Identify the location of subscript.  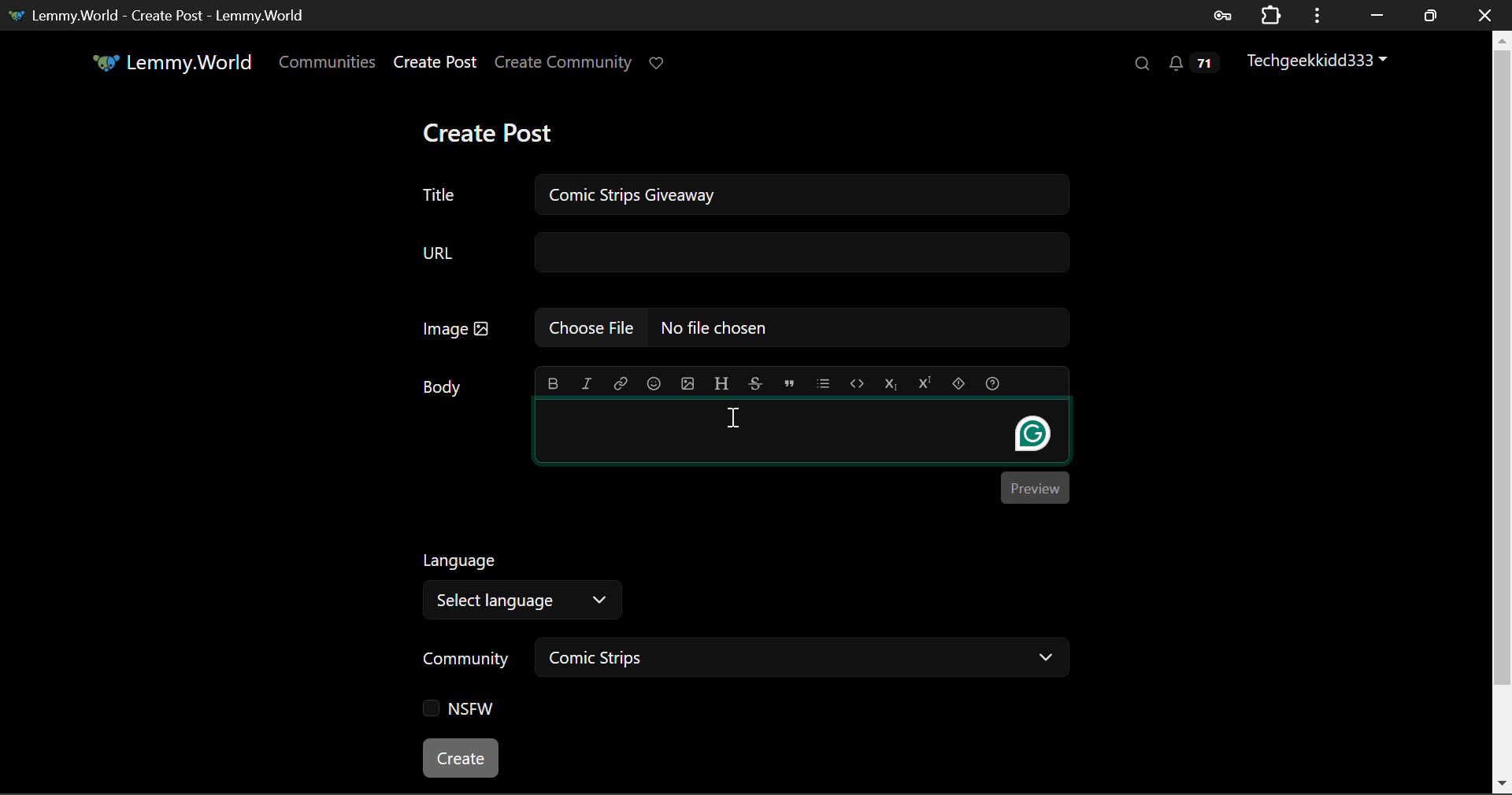
(891, 383).